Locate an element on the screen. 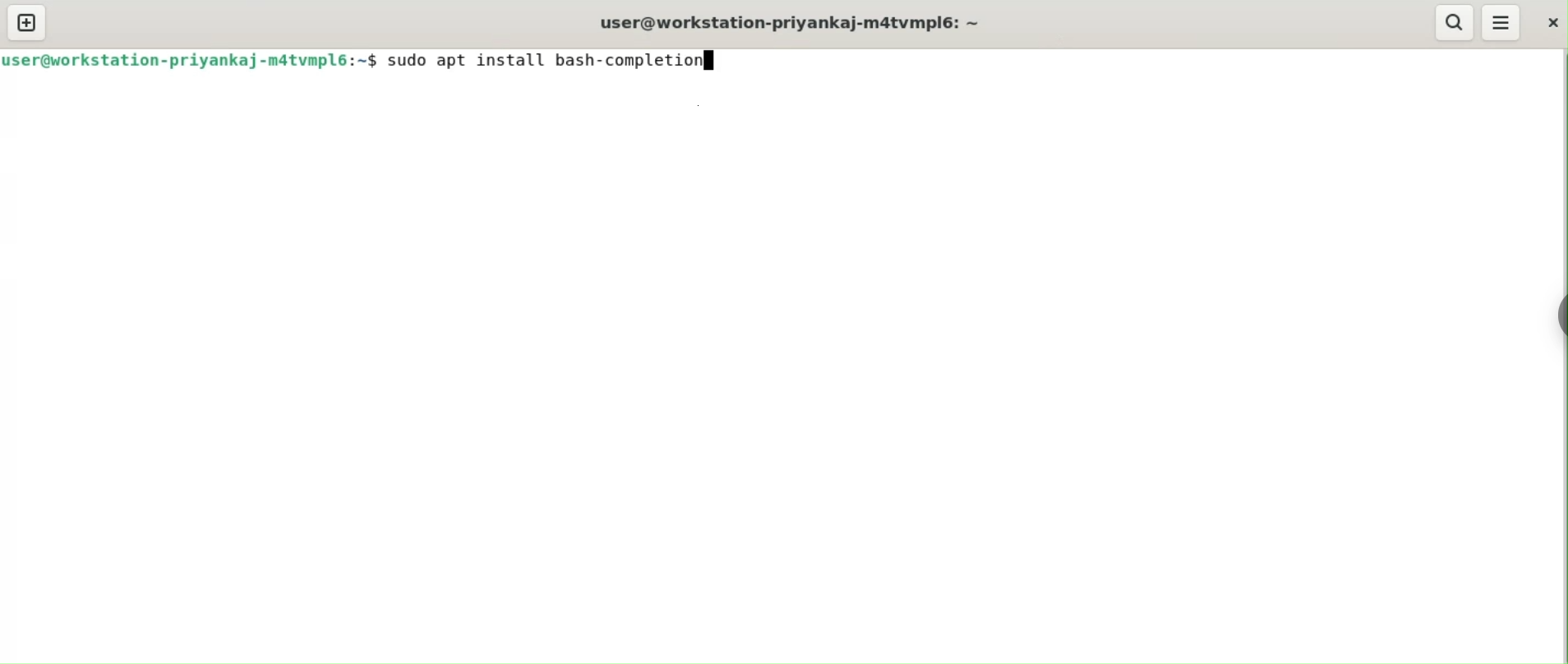 Image resolution: width=1568 pixels, height=664 pixels. menu is located at coordinates (1502, 22).